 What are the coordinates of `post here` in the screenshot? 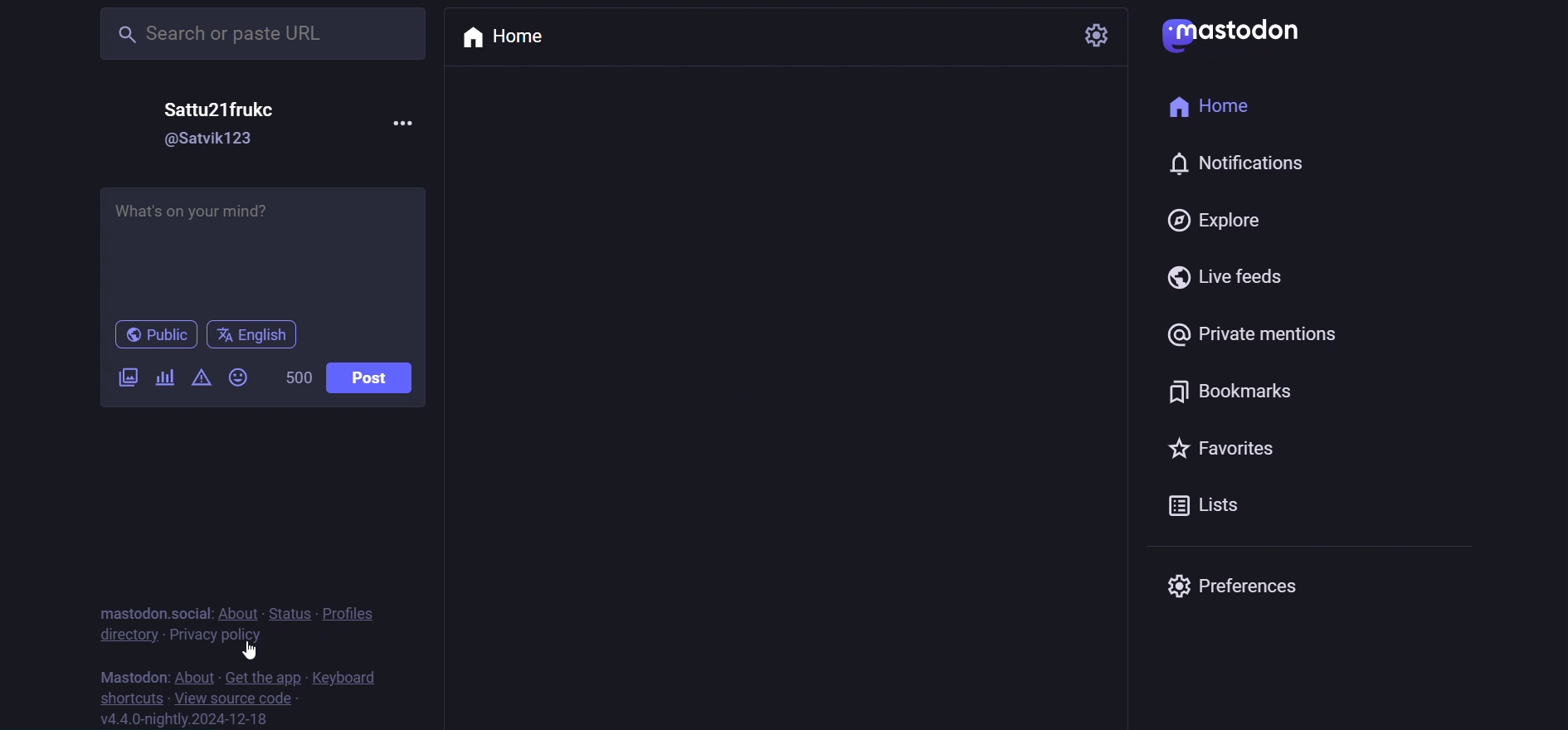 It's located at (270, 248).